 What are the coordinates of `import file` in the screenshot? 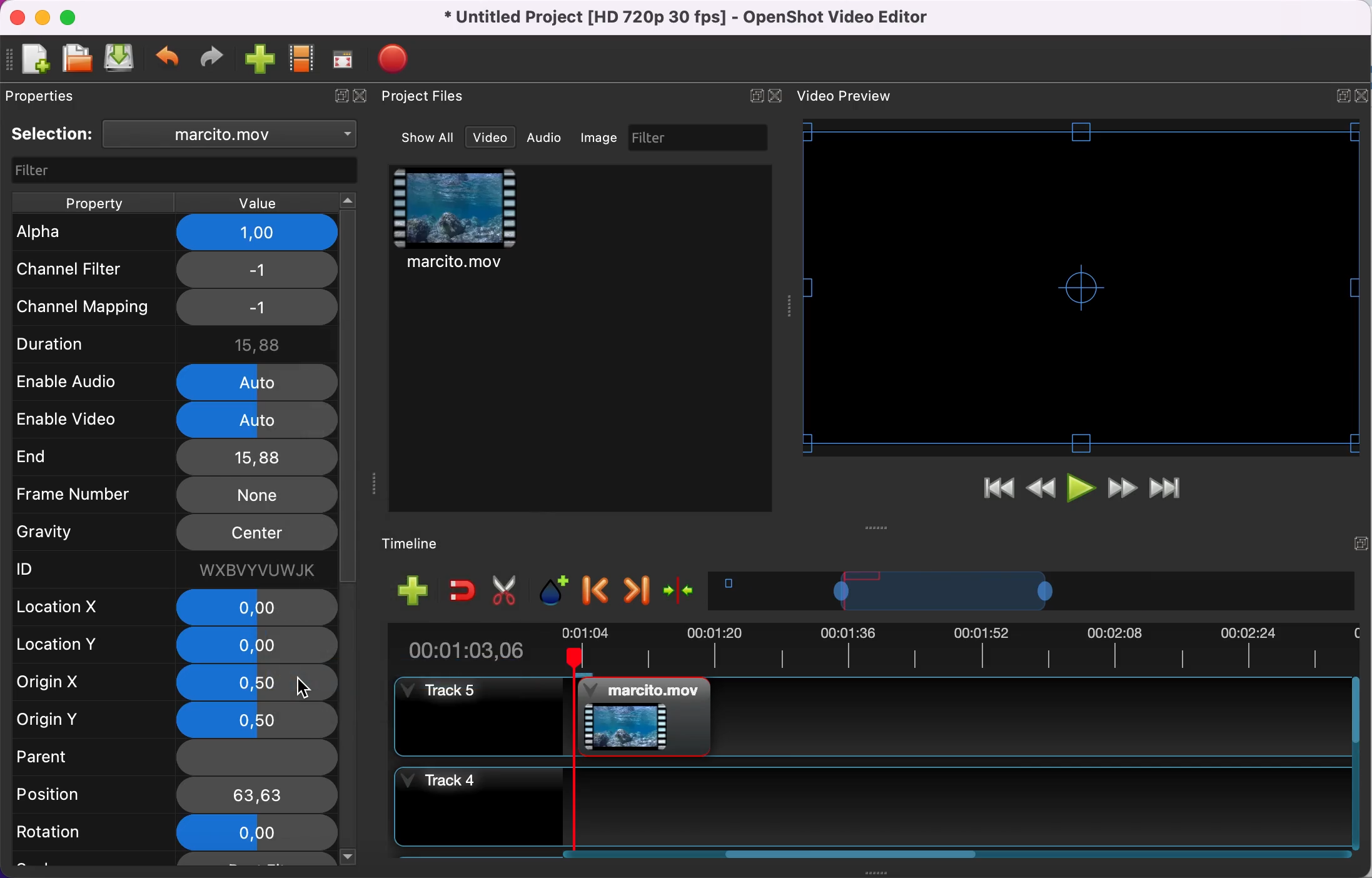 It's located at (261, 60).